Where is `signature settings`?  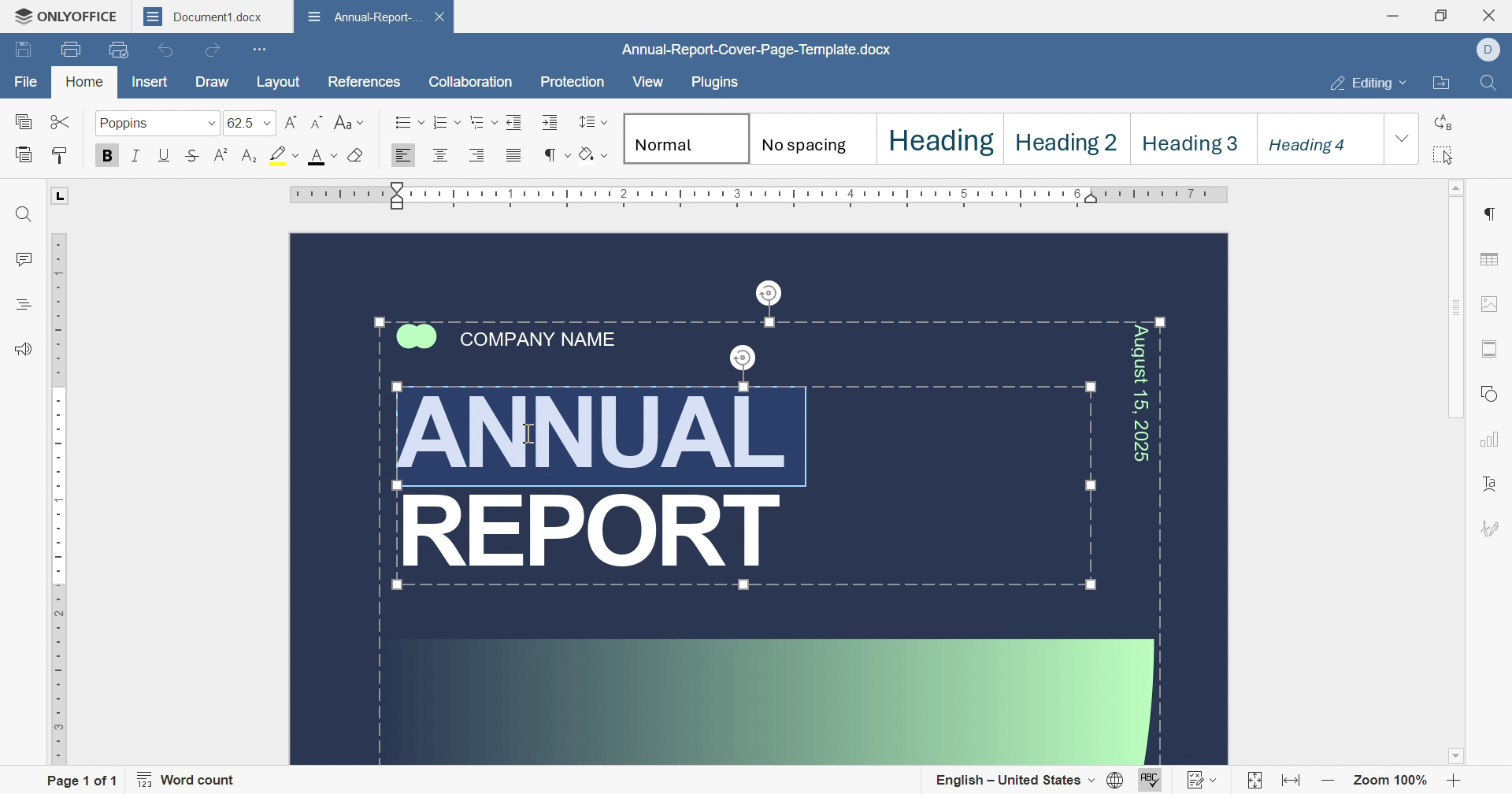
signature settings is located at coordinates (1492, 529).